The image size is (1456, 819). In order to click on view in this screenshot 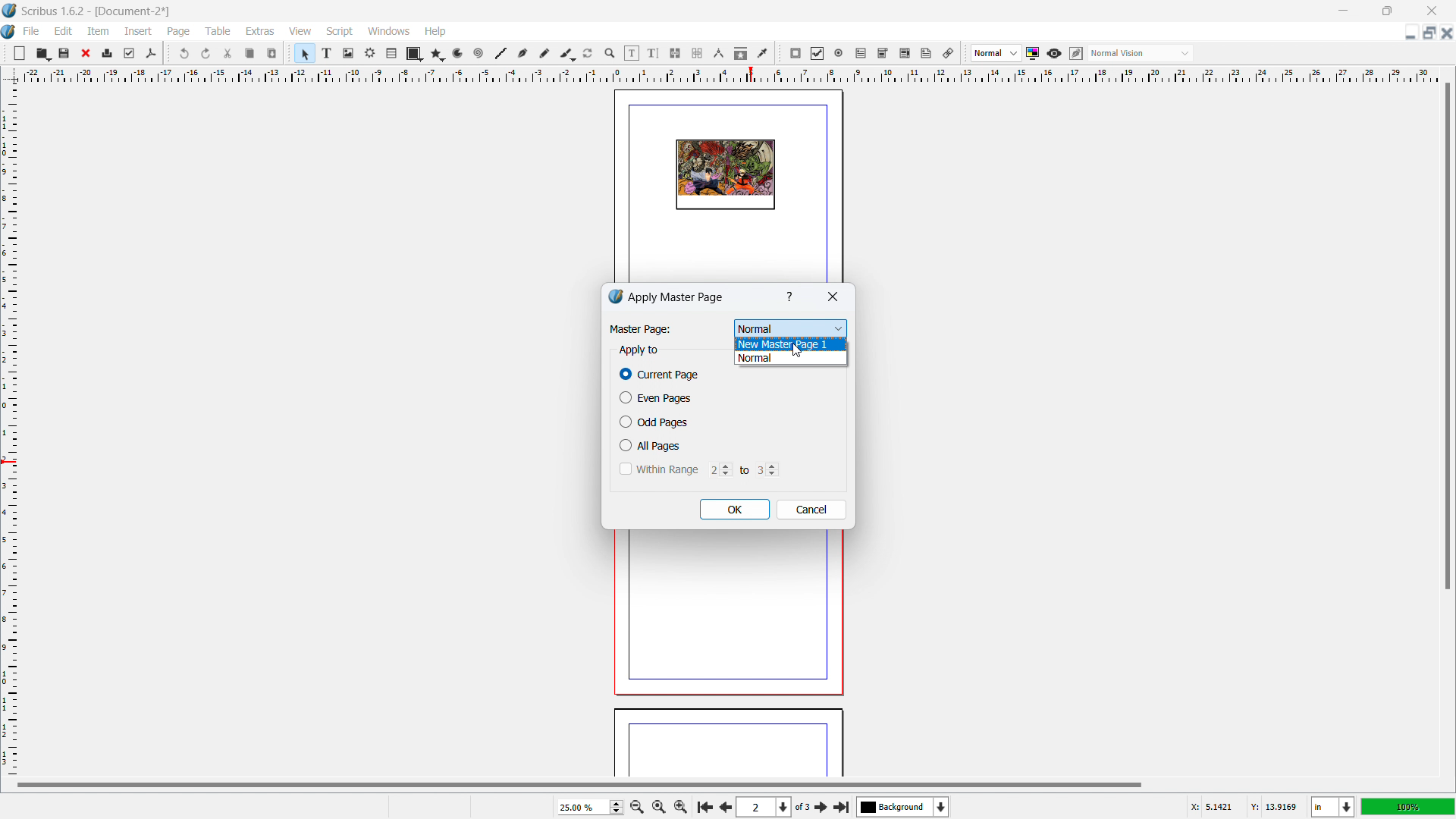, I will do `click(300, 32)`.